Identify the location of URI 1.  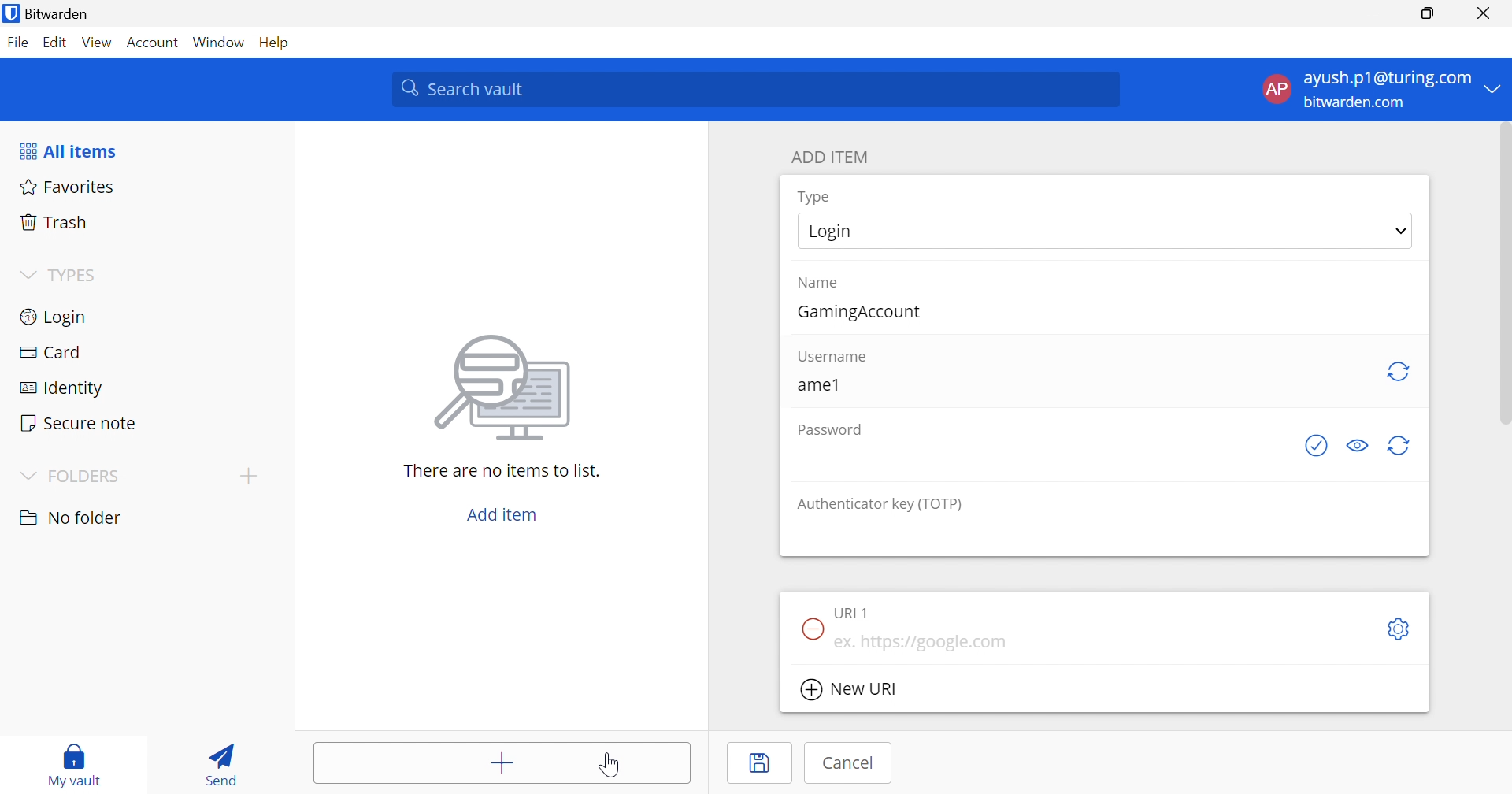
(858, 612).